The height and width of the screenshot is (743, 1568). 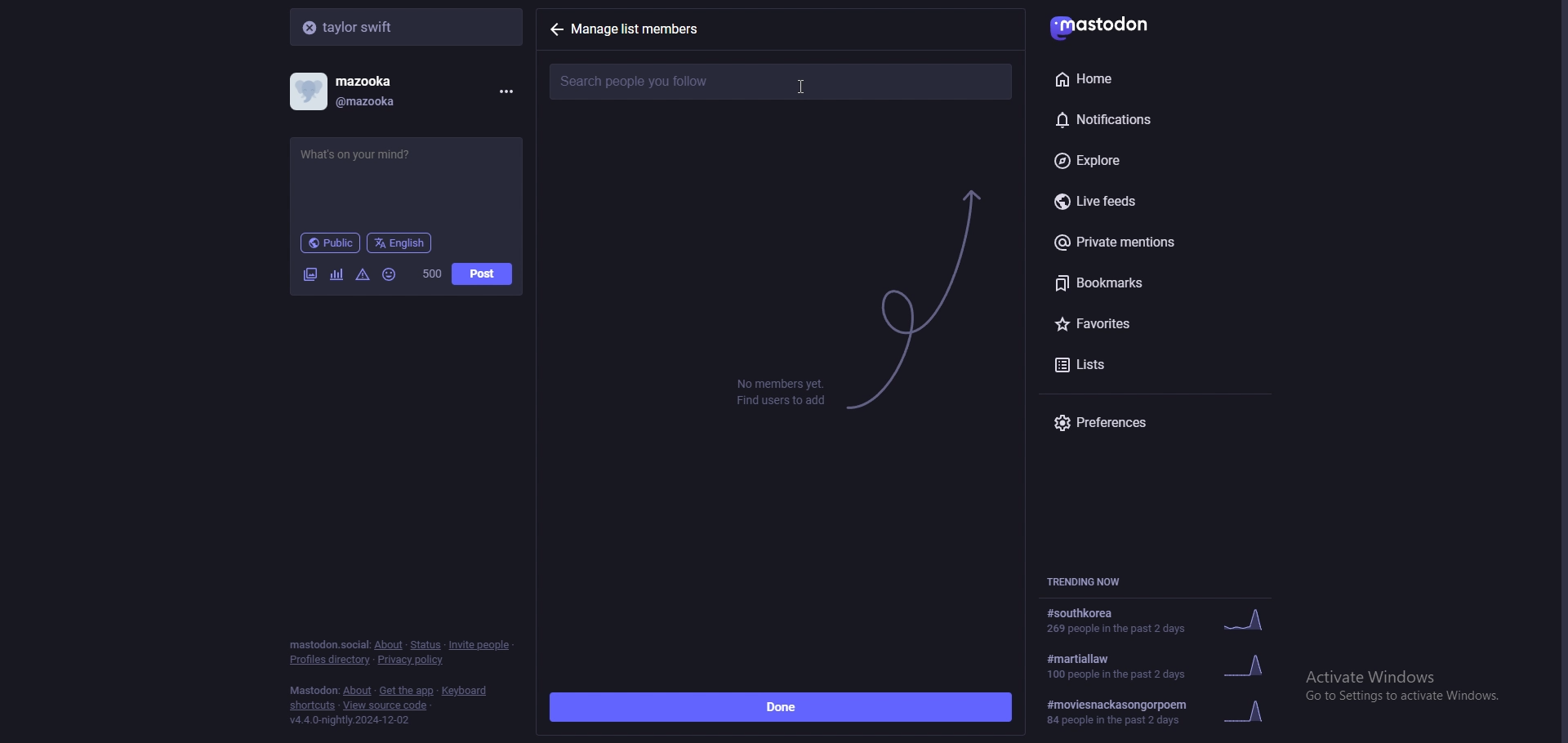 I want to click on language, so click(x=400, y=242).